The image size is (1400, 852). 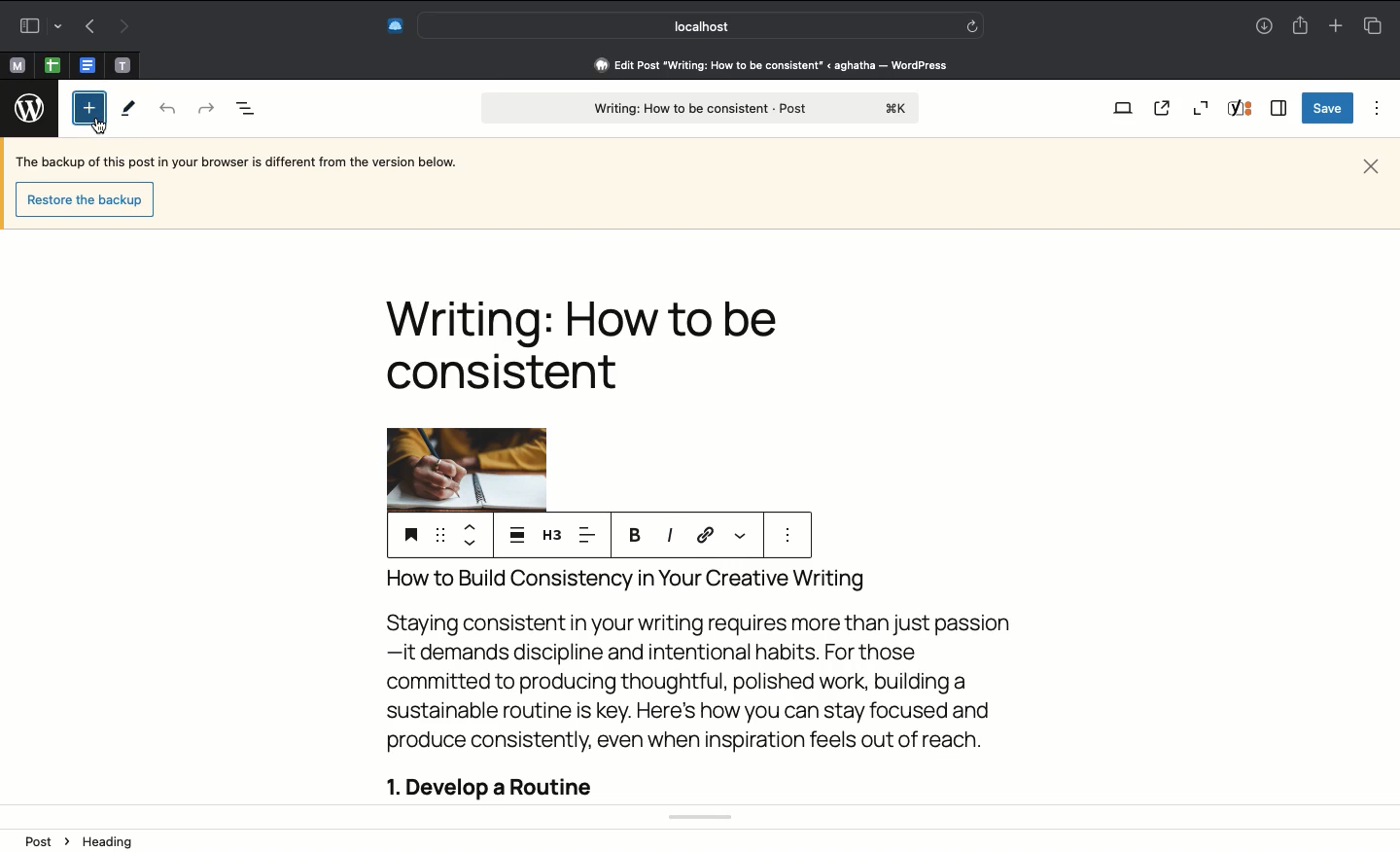 I want to click on edit post, so click(x=774, y=65).